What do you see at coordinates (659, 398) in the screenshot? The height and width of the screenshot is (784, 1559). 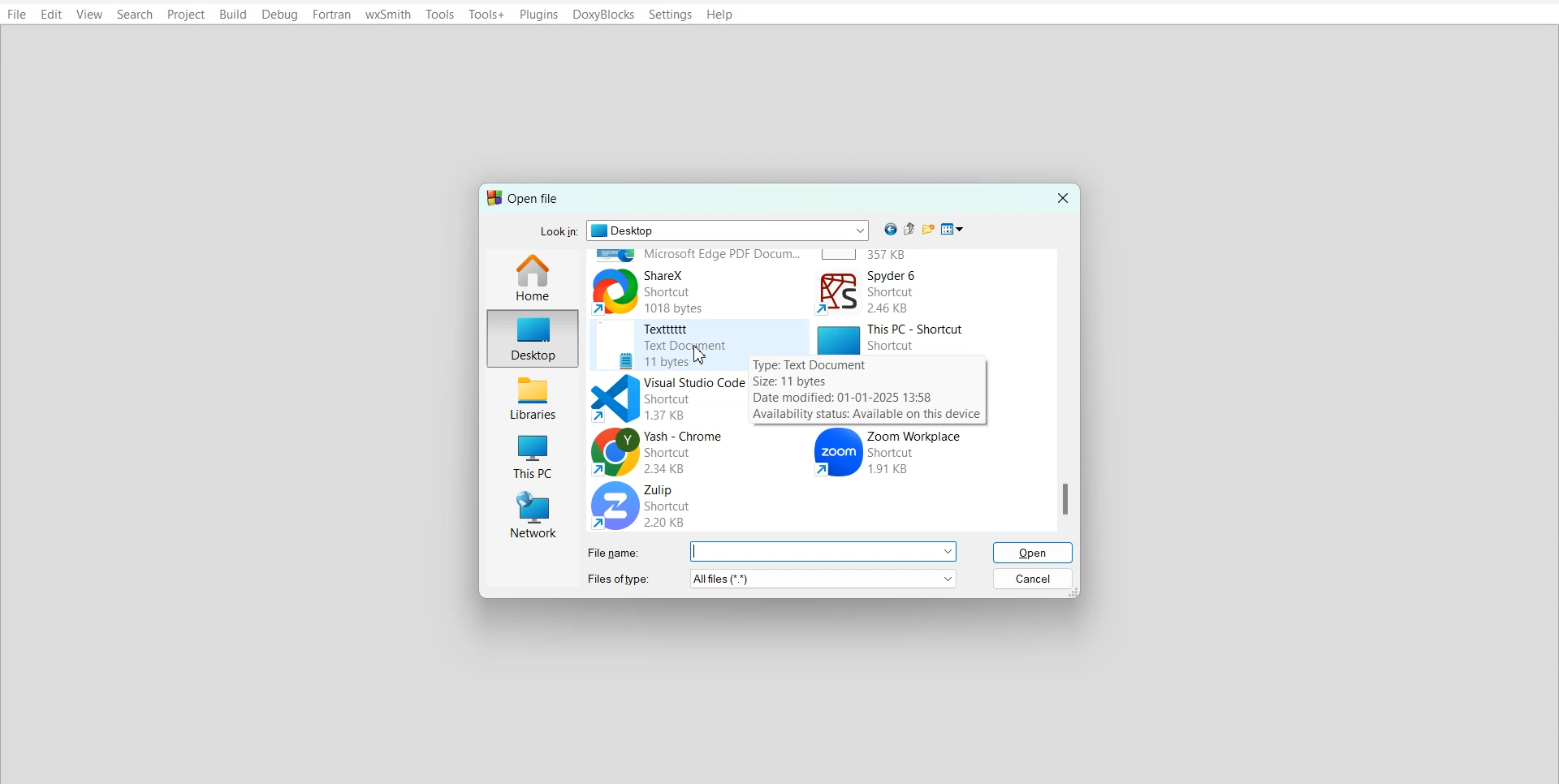 I see `Visual studio code` at bounding box center [659, 398].